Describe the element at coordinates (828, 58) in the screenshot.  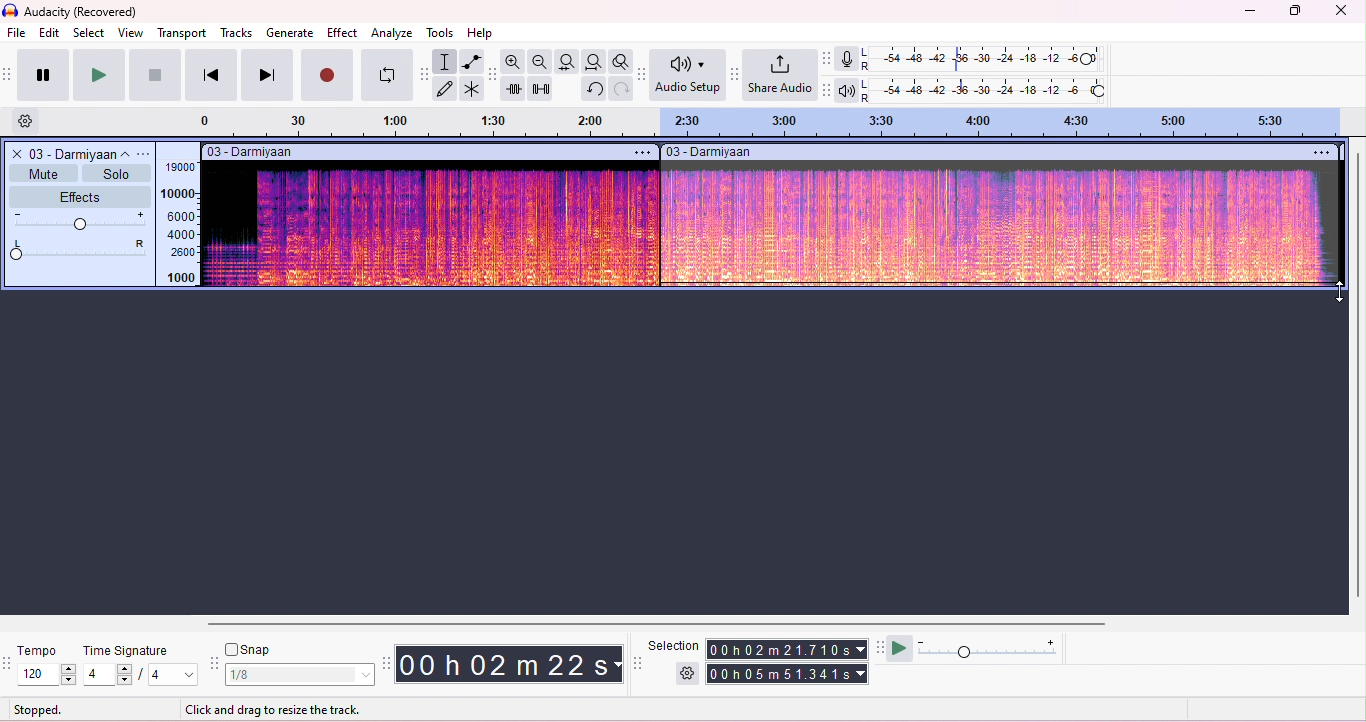
I see `recording meter tool bar` at that location.